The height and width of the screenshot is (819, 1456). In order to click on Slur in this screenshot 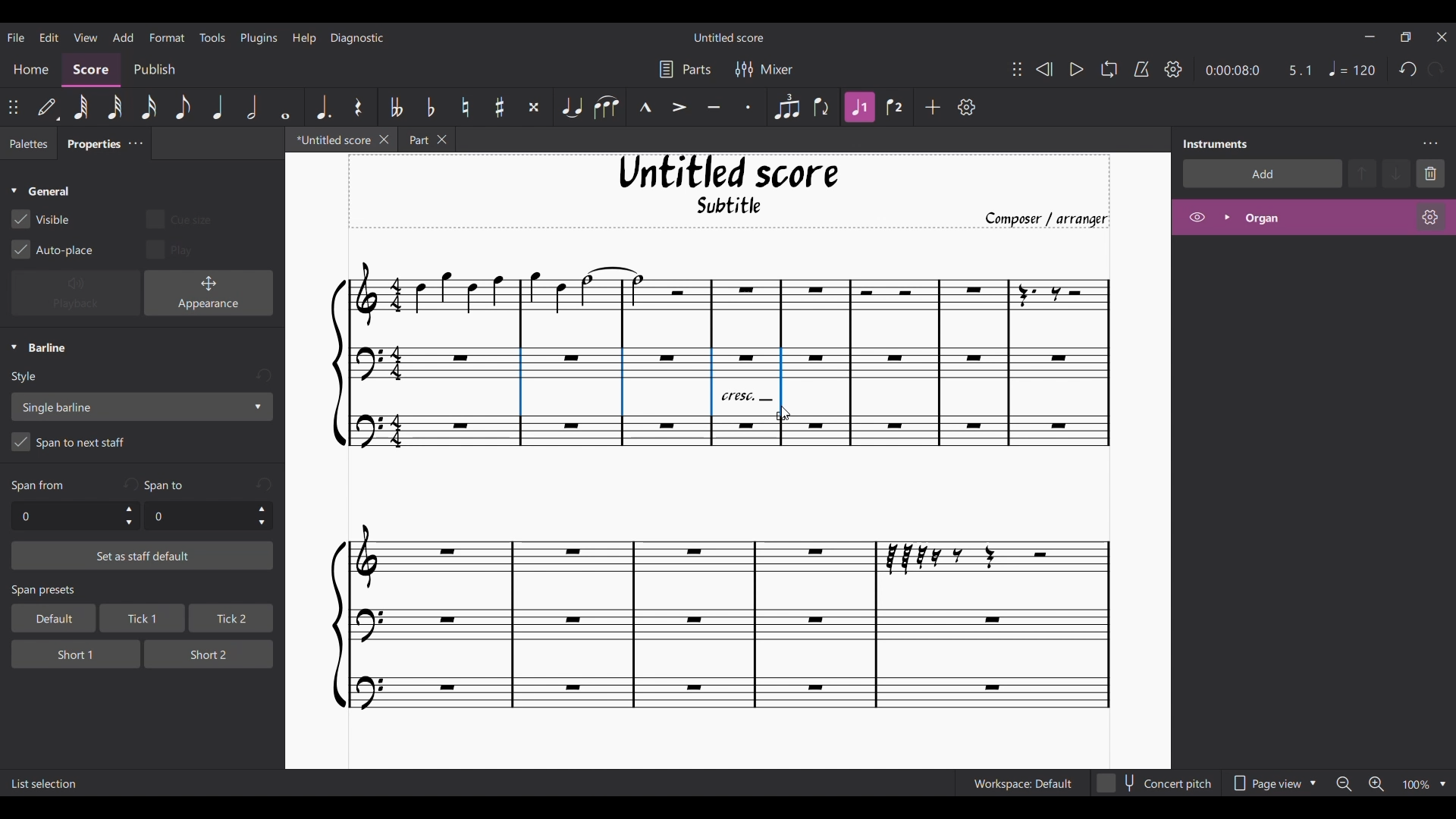, I will do `click(606, 107)`.